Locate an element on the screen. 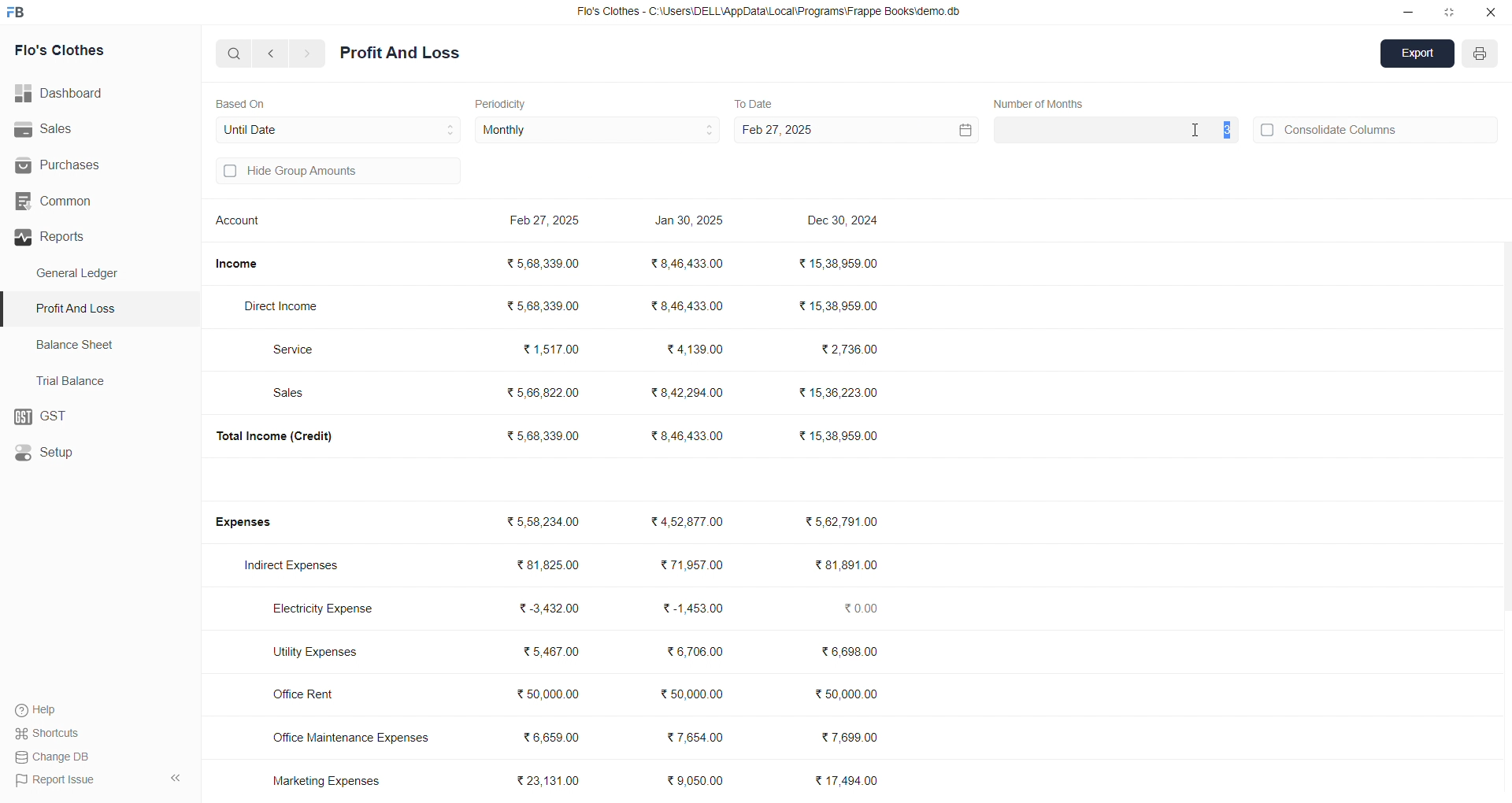 Image resolution: width=1512 pixels, height=803 pixels. Profit And Loss is located at coordinates (103, 308).